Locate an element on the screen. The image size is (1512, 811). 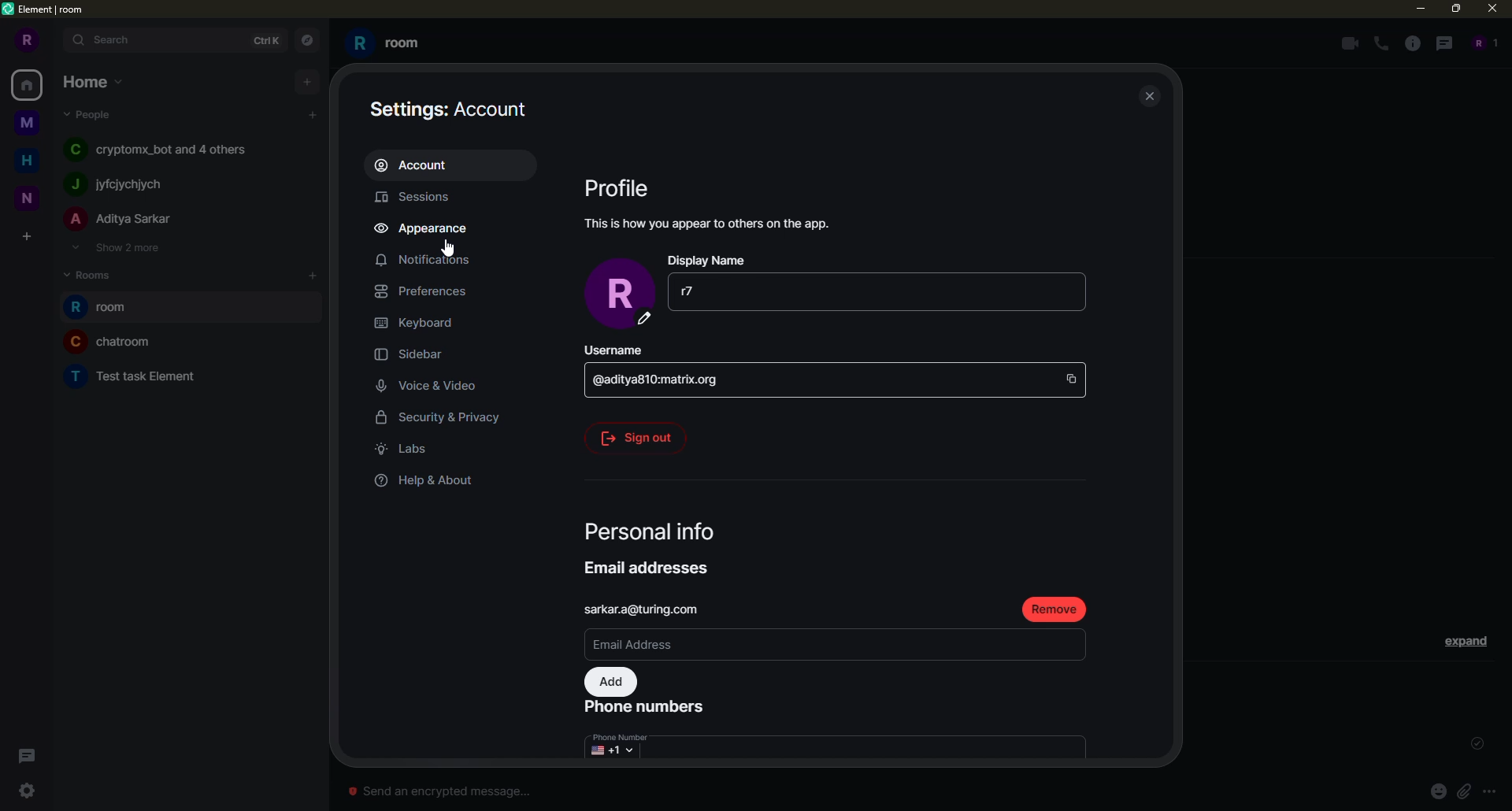
security & privacy is located at coordinates (450, 420).